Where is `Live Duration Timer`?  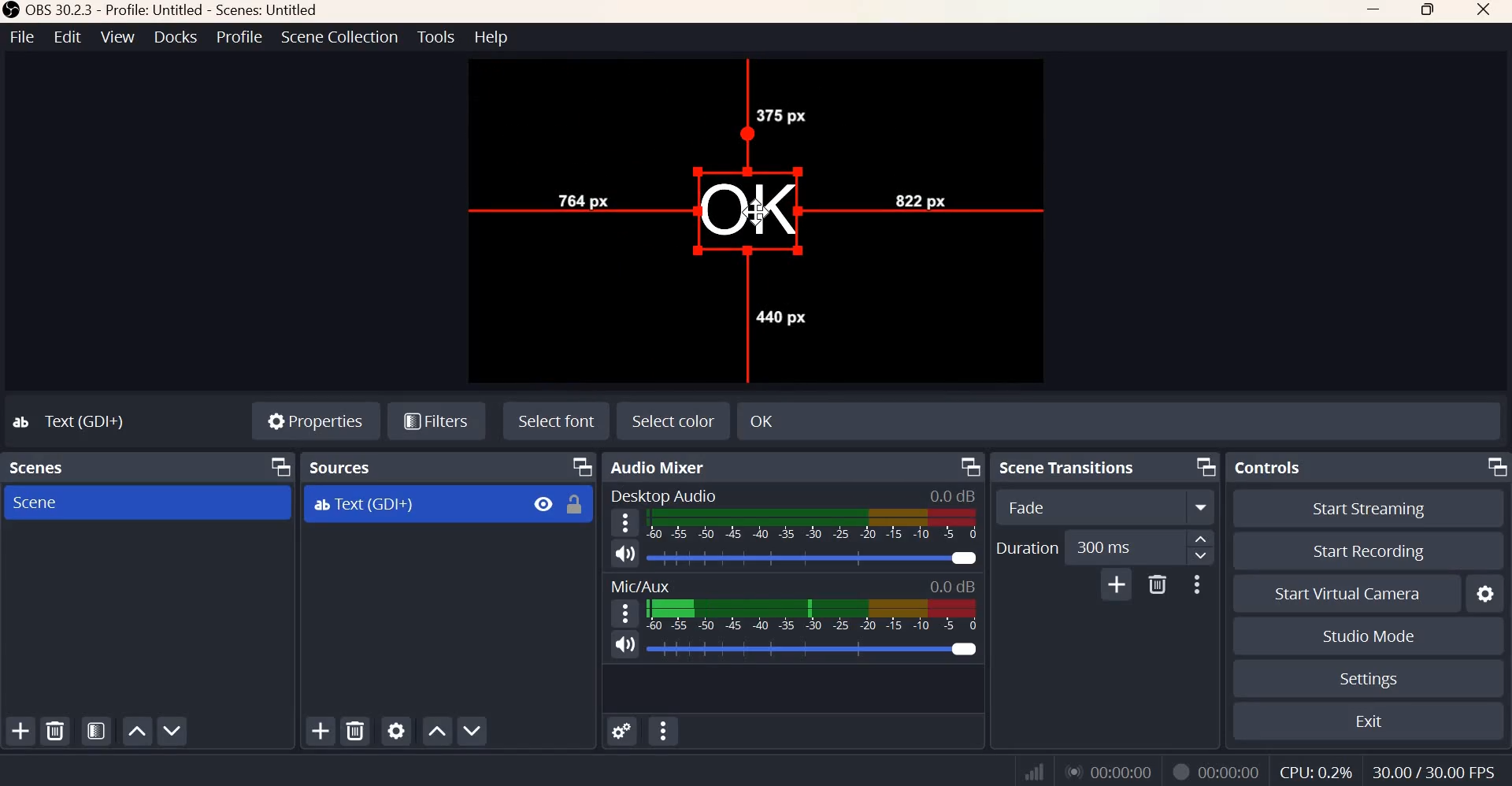 Live Duration Timer is located at coordinates (1110, 770).